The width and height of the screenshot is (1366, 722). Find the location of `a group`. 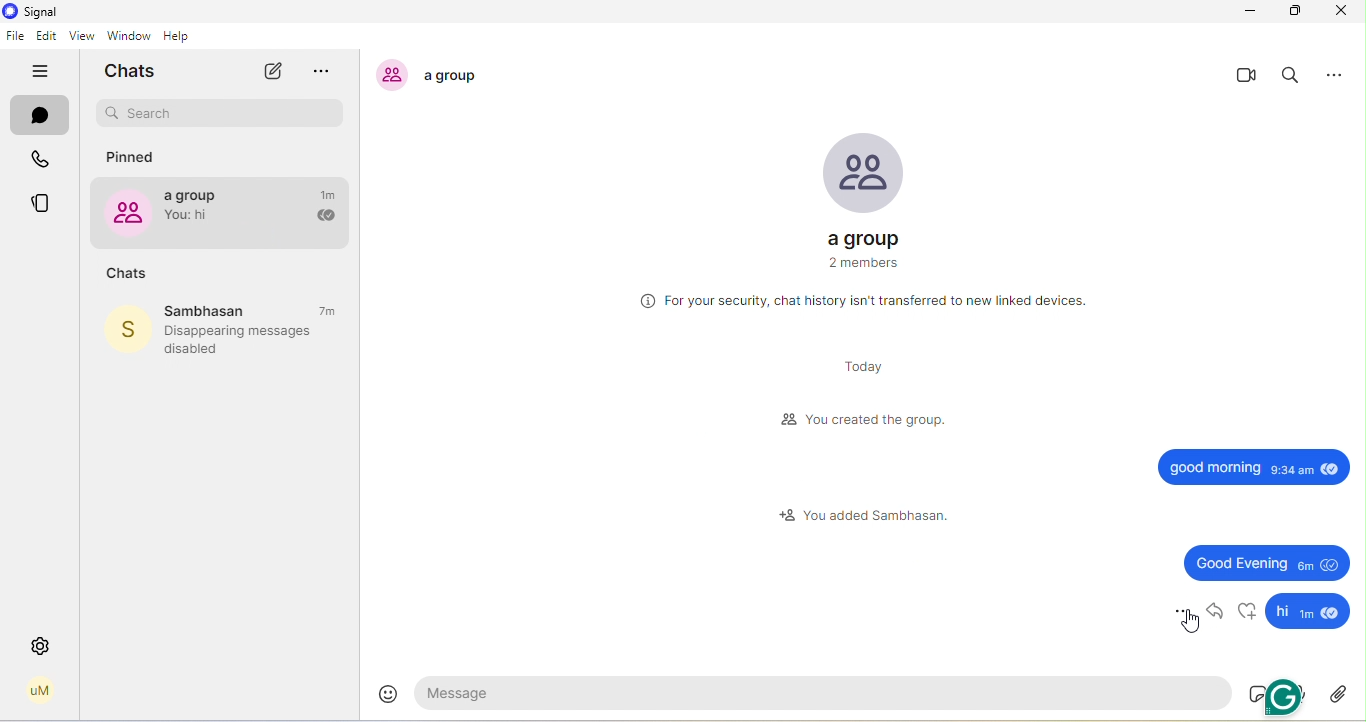

a group is located at coordinates (438, 75).